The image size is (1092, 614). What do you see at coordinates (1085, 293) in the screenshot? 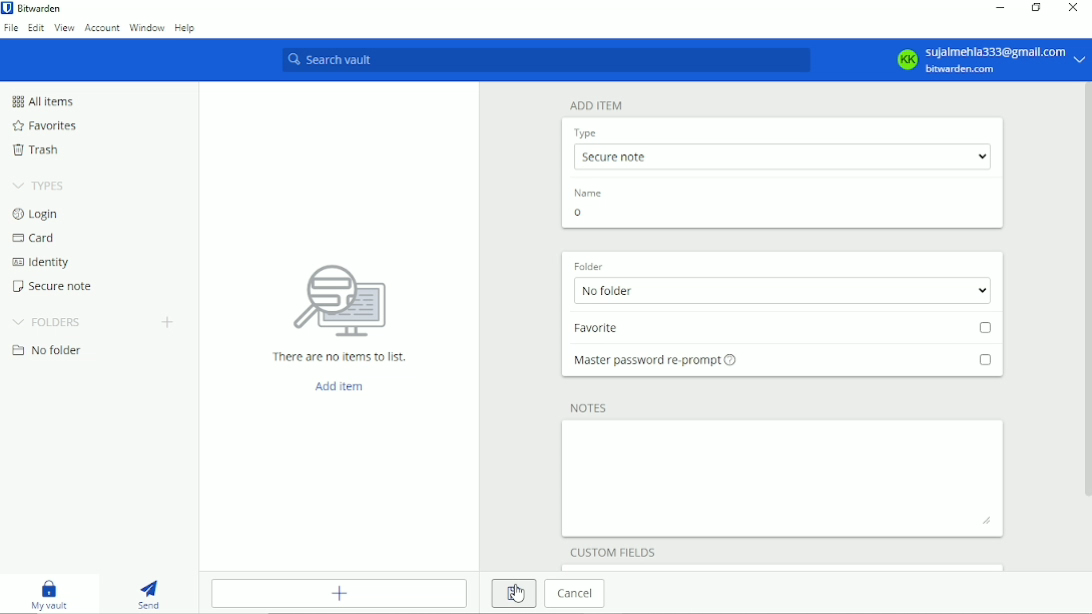
I see `Vertical scrollbar` at bounding box center [1085, 293].